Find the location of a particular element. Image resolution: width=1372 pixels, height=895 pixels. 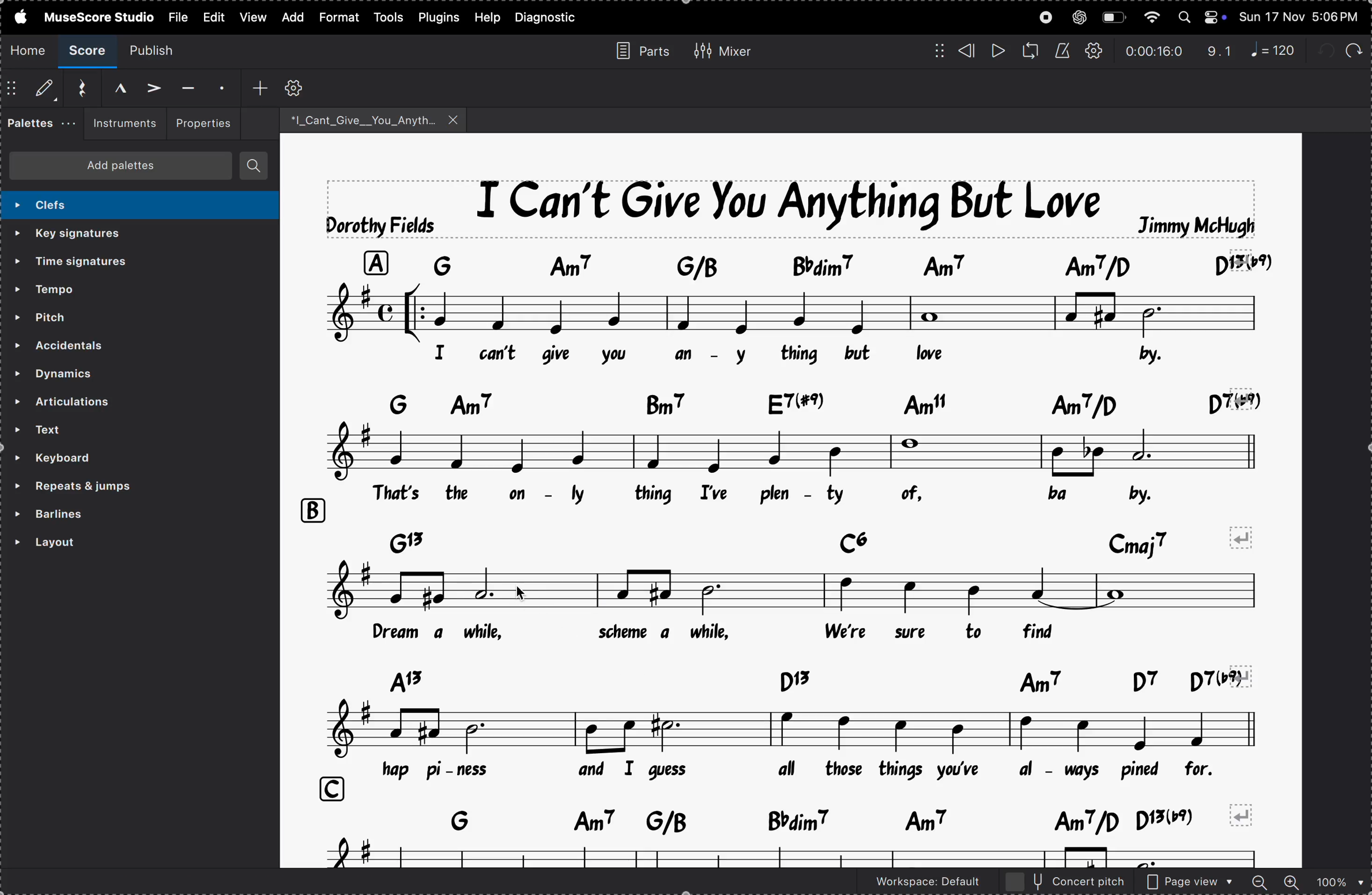

lyrics is located at coordinates (732, 633).